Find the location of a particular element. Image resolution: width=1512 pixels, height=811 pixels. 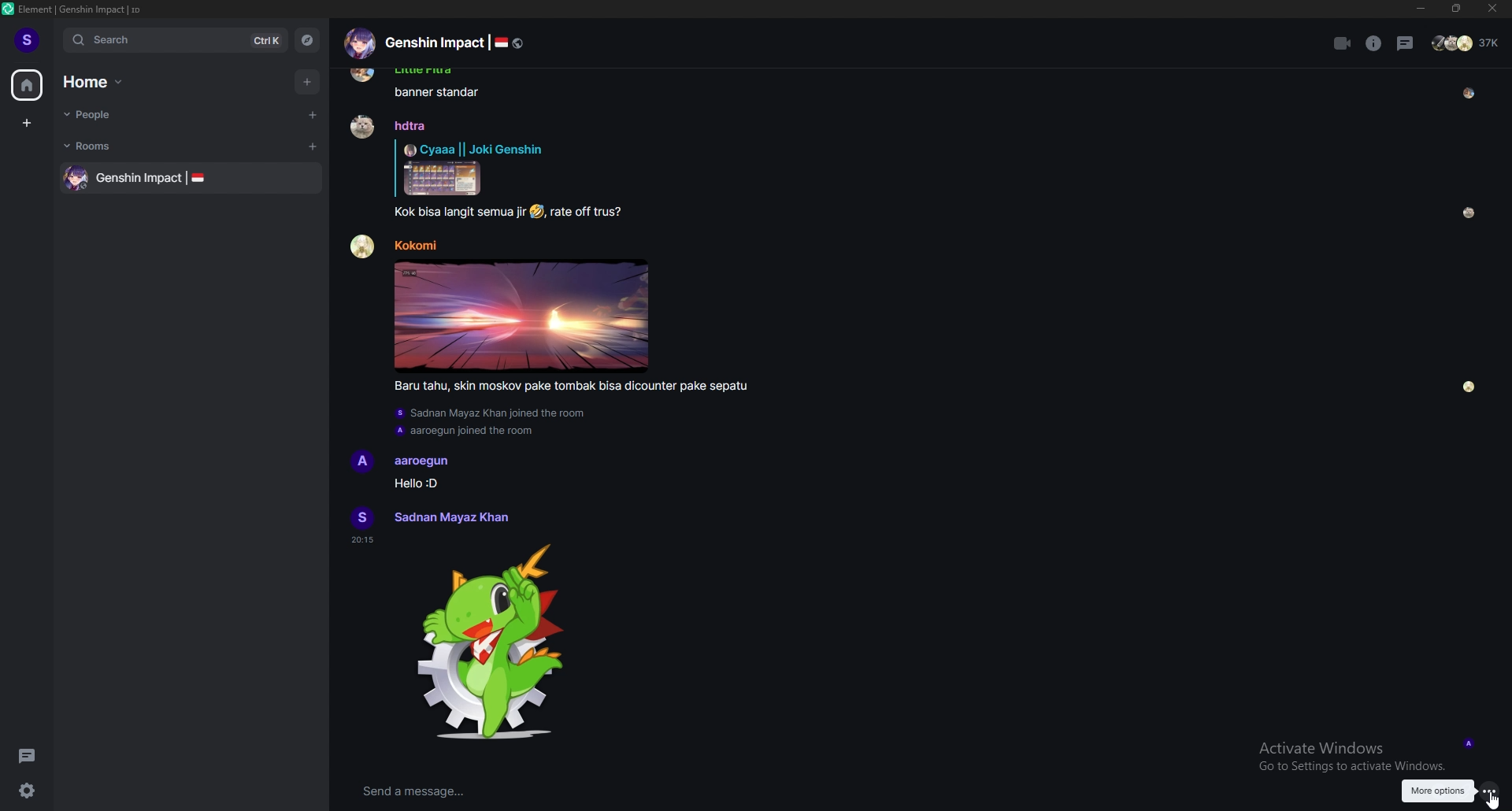

Profile picture of group is located at coordinates (359, 43).